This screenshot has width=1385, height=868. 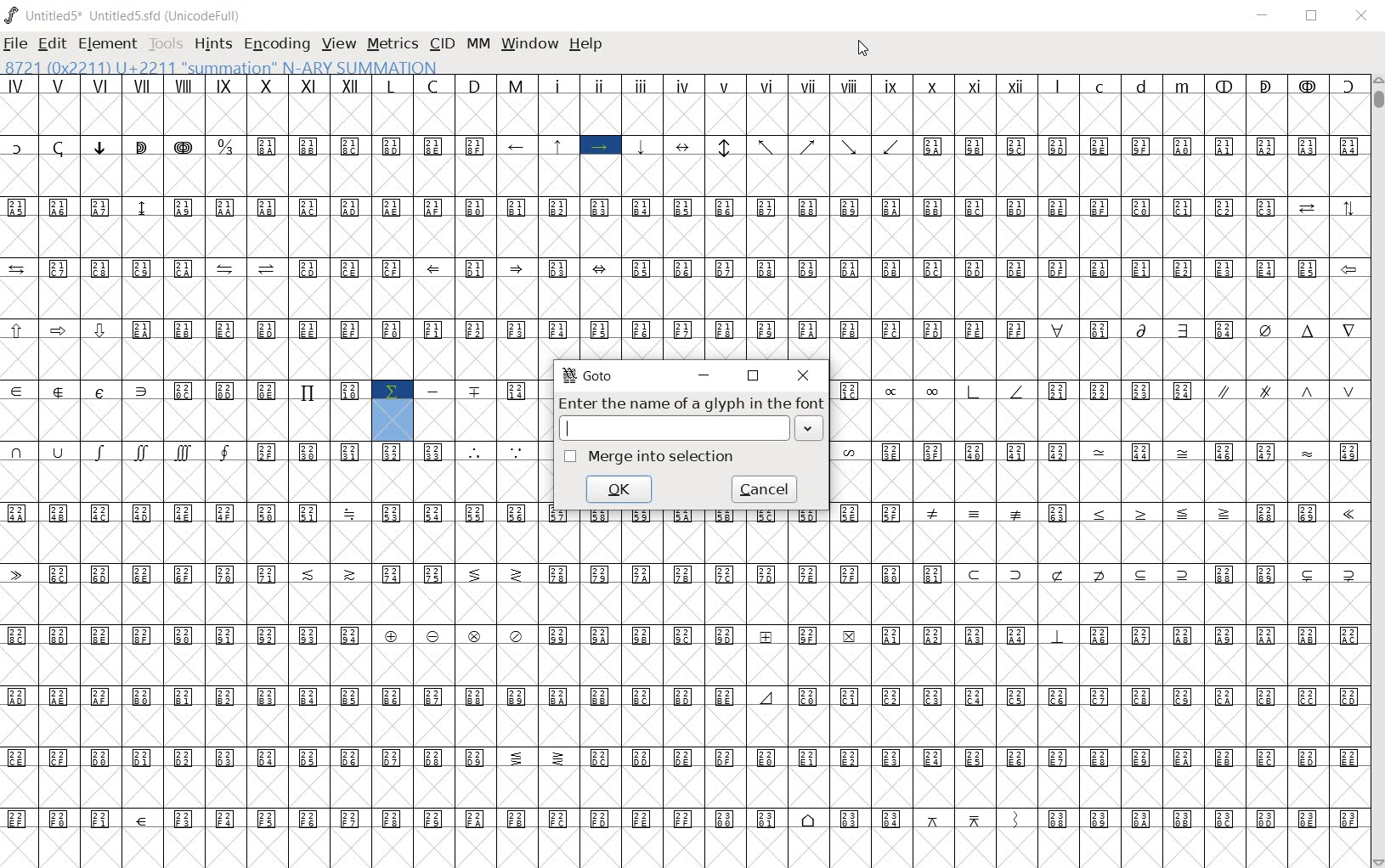 I want to click on small letters l c d m, so click(x=1125, y=82).